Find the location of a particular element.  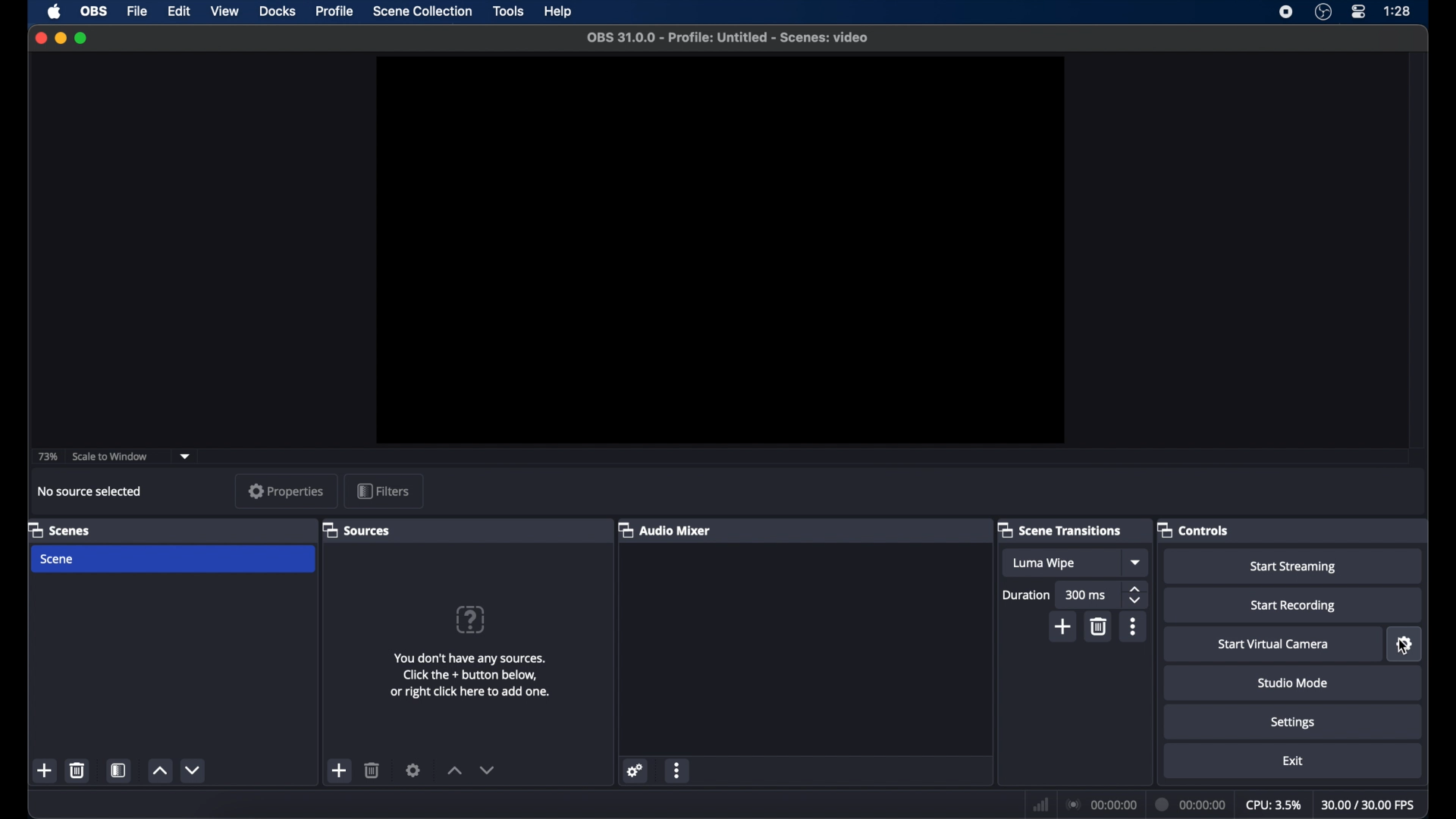

add is located at coordinates (45, 771).